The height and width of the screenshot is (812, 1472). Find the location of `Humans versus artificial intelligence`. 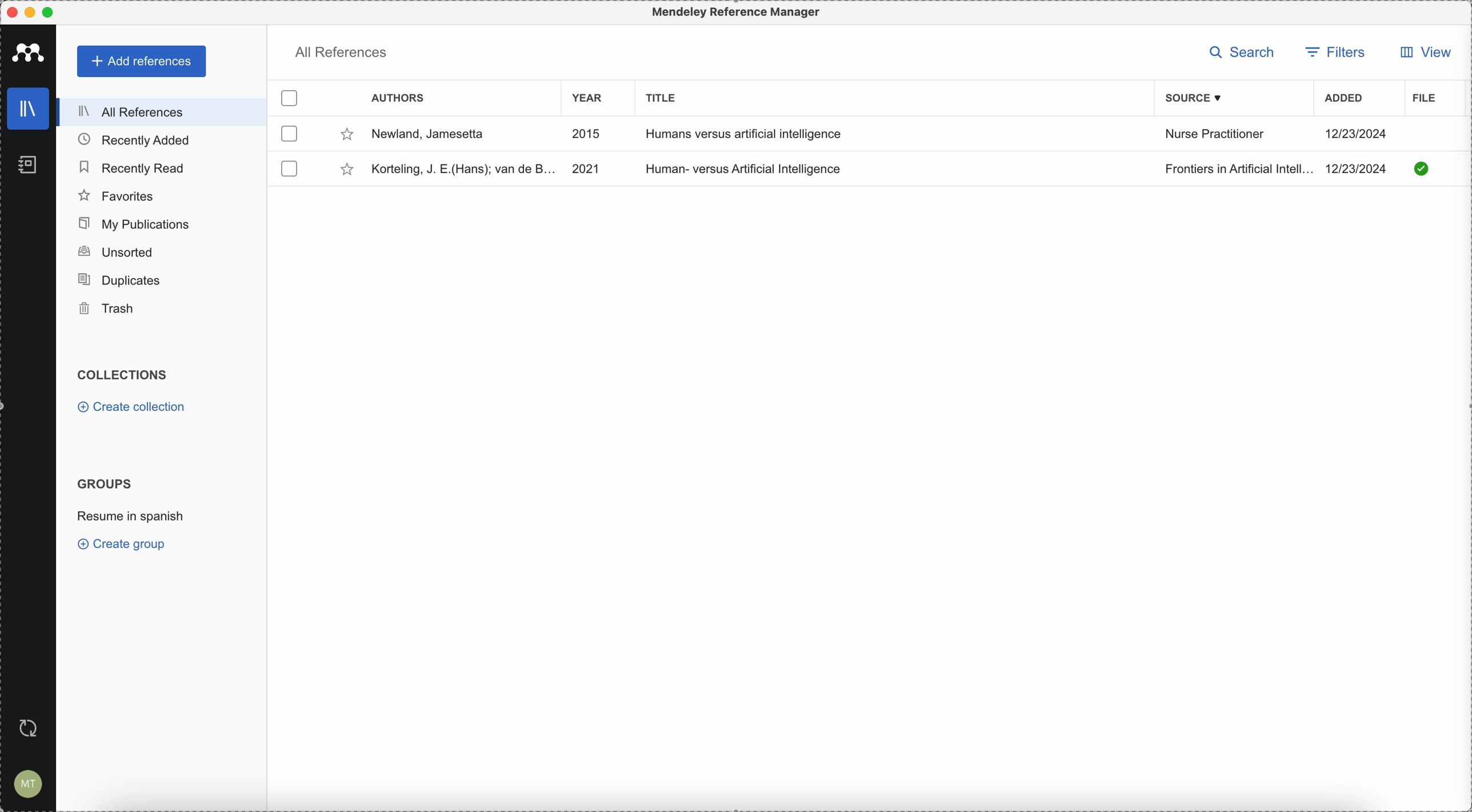

Humans versus artificial intelligence is located at coordinates (742, 133).